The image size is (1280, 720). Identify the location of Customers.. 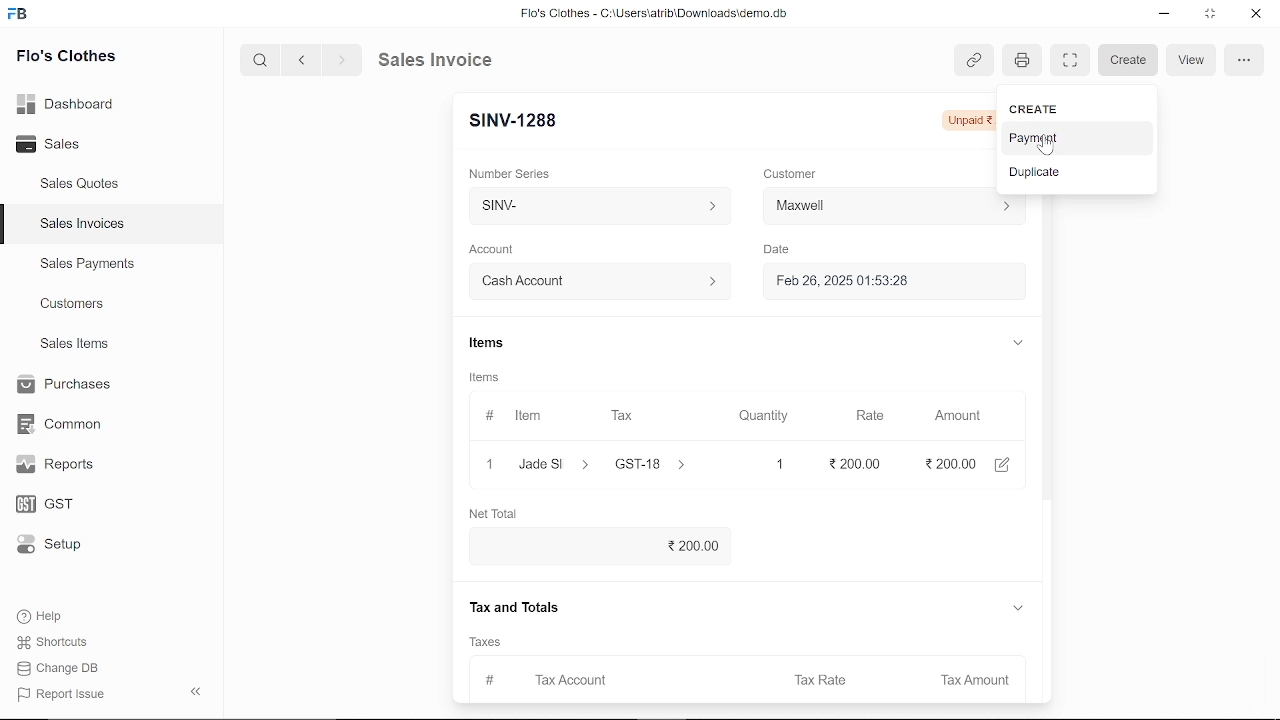
(73, 304).